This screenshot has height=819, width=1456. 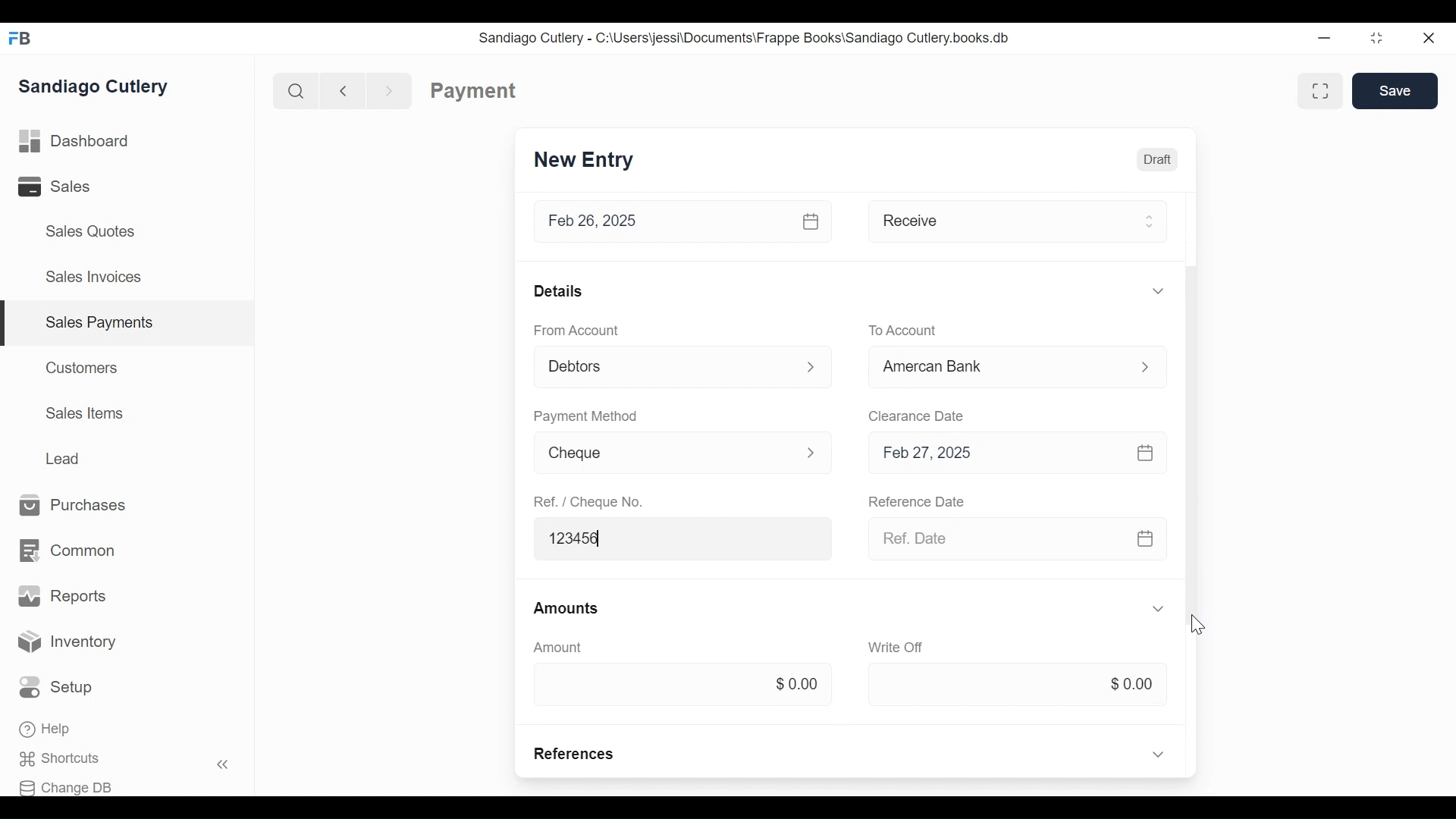 What do you see at coordinates (995, 366) in the screenshot?
I see `Cash` at bounding box center [995, 366].